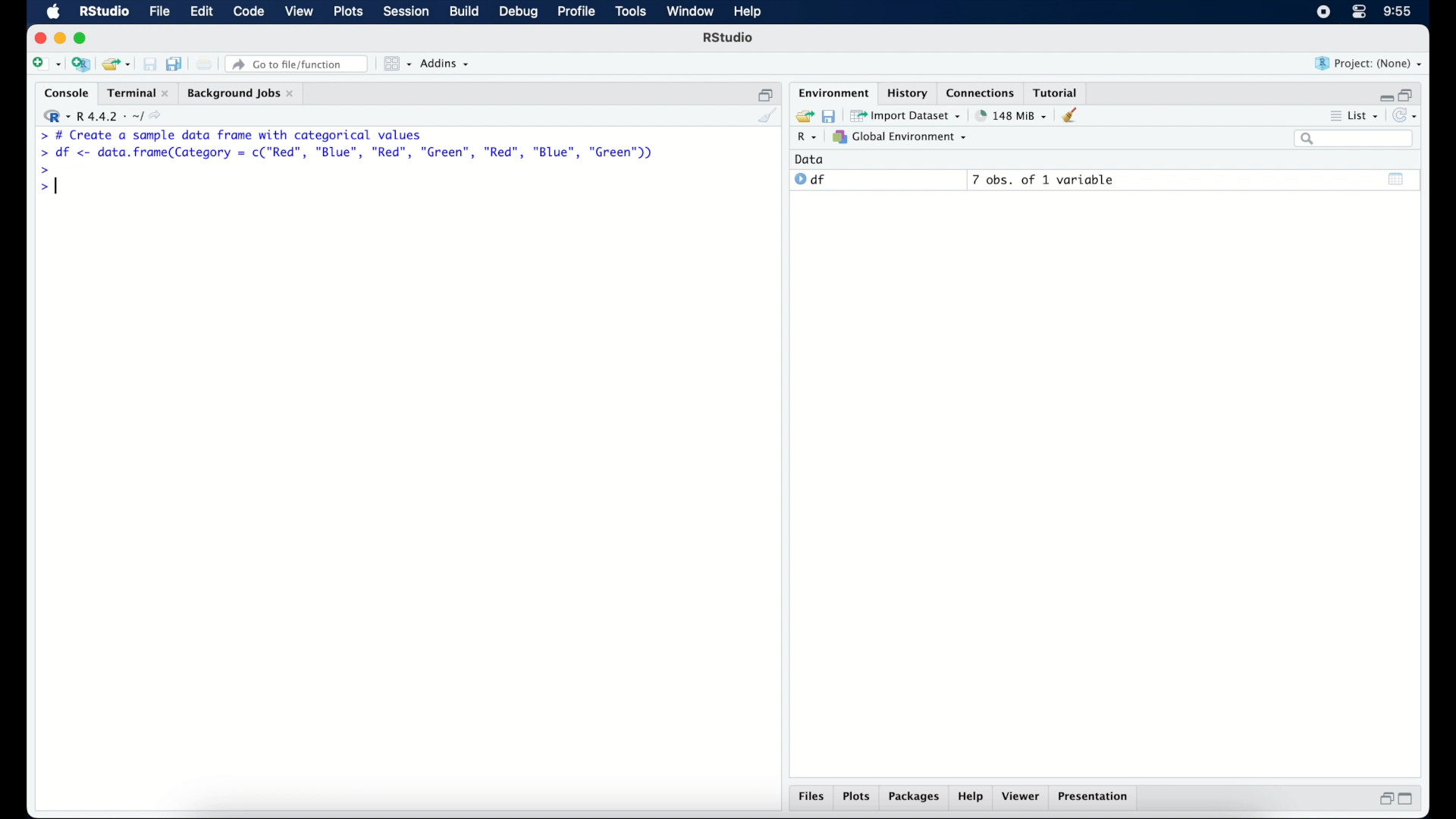 This screenshot has height=819, width=1456. Describe the element at coordinates (1398, 181) in the screenshot. I see `show output window` at that location.